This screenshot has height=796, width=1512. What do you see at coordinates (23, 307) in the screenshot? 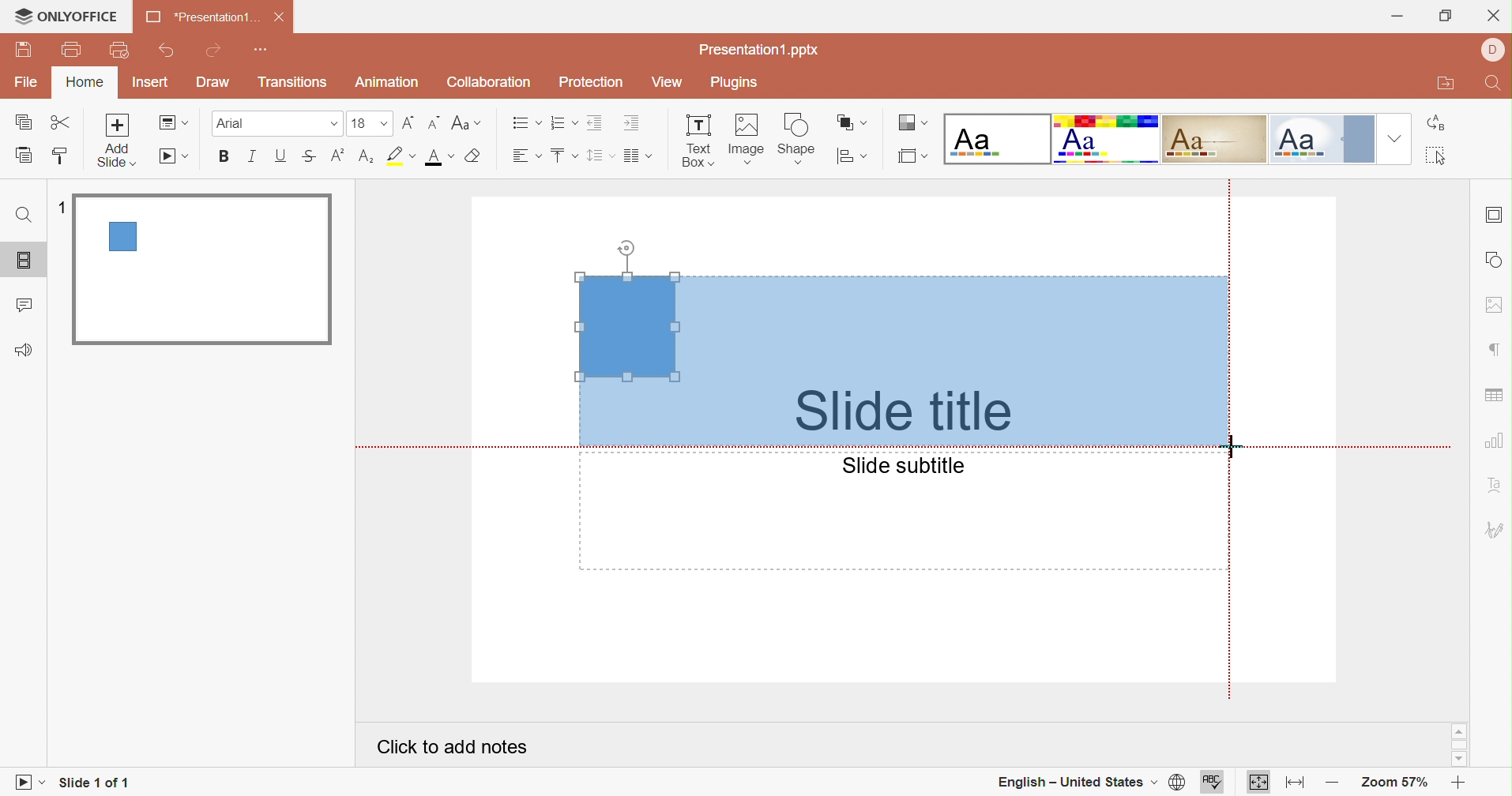
I see `Comments` at bounding box center [23, 307].